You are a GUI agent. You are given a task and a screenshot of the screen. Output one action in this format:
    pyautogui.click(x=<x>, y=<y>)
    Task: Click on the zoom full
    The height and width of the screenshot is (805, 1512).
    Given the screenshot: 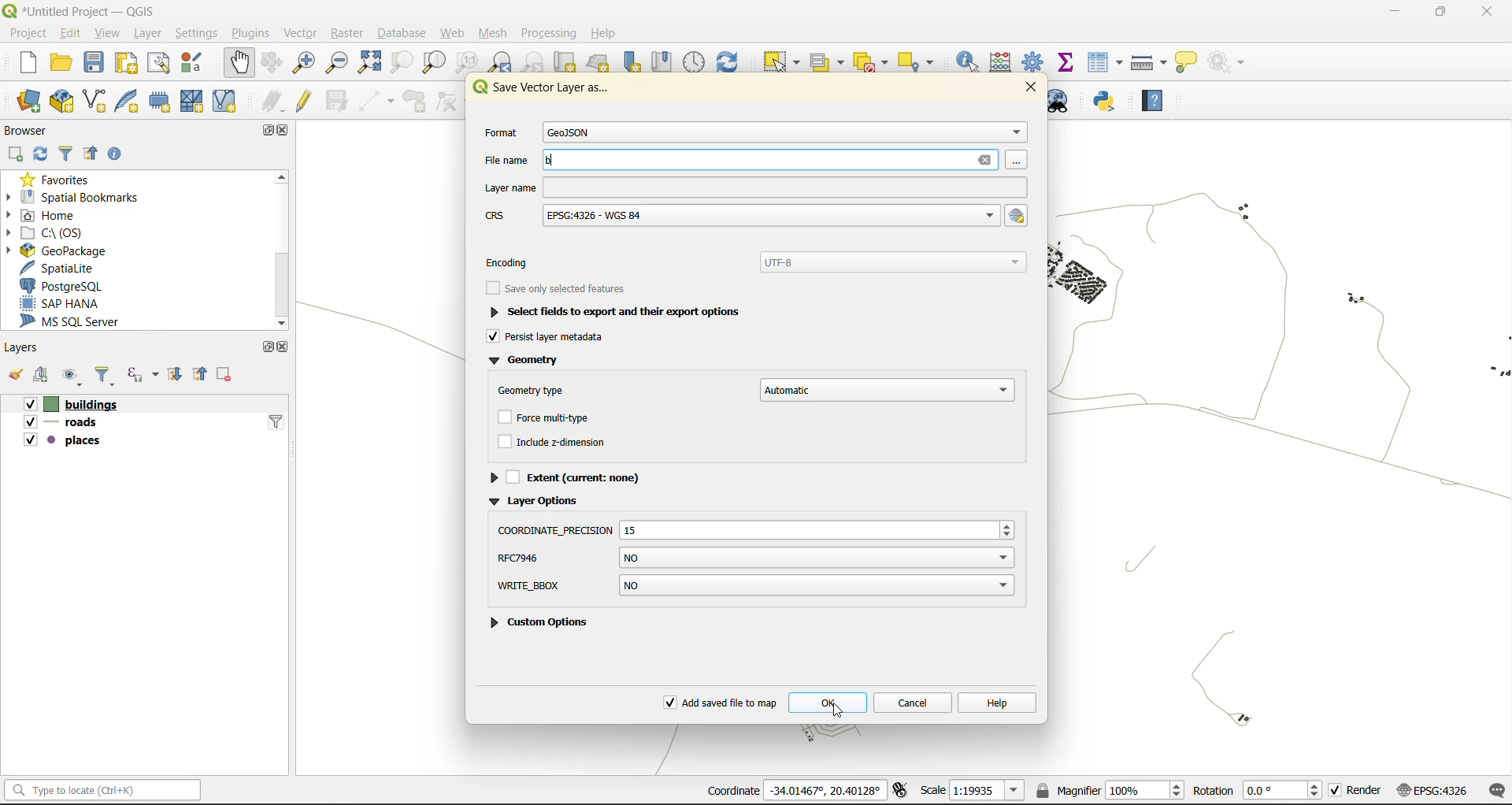 What is the action you would take?
    pyautogui.click(x=369, y=62)
    